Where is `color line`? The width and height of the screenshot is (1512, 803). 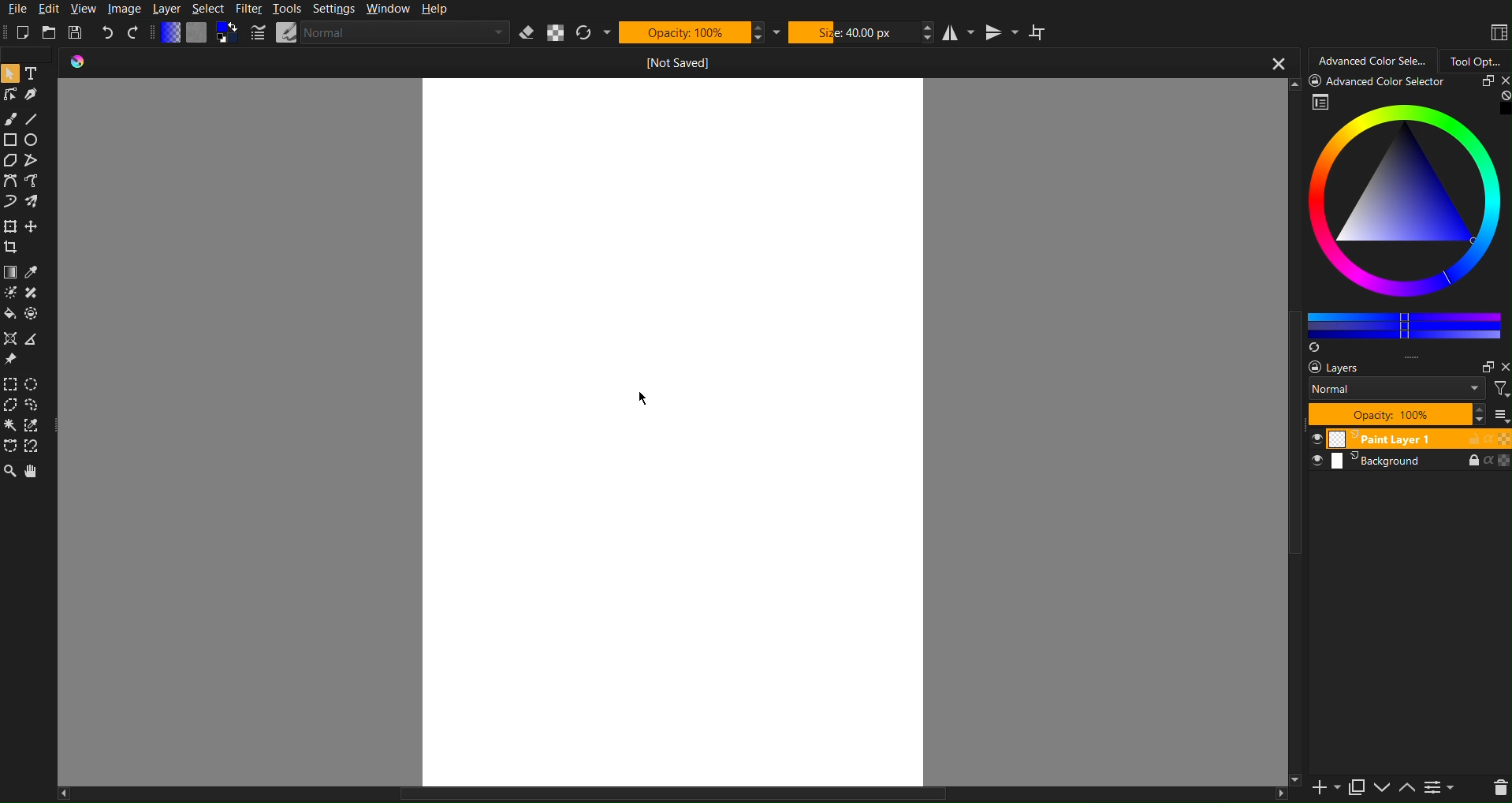 color line is located at coordinates (1404, 323).